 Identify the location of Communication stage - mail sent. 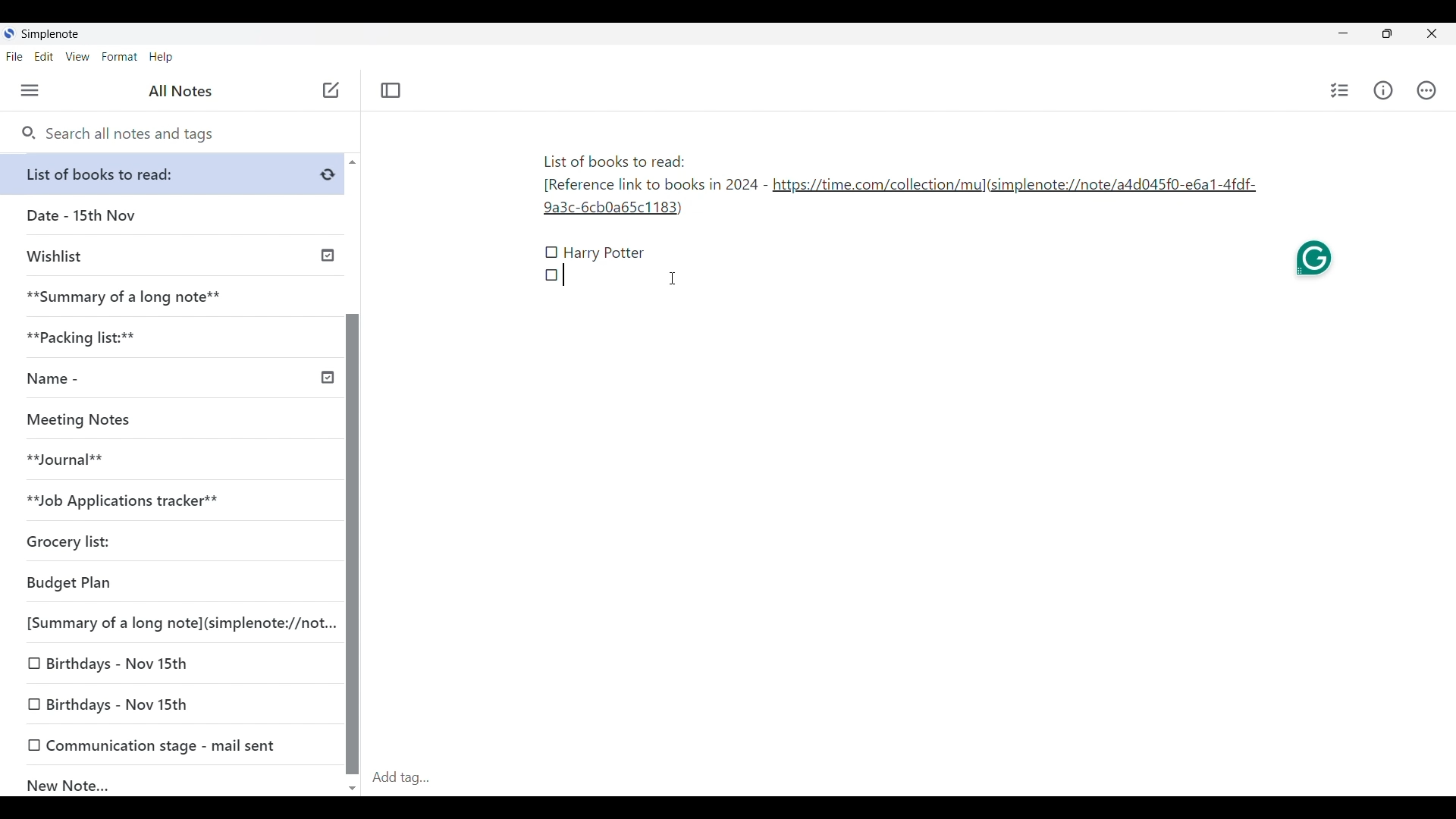
(173, 745).